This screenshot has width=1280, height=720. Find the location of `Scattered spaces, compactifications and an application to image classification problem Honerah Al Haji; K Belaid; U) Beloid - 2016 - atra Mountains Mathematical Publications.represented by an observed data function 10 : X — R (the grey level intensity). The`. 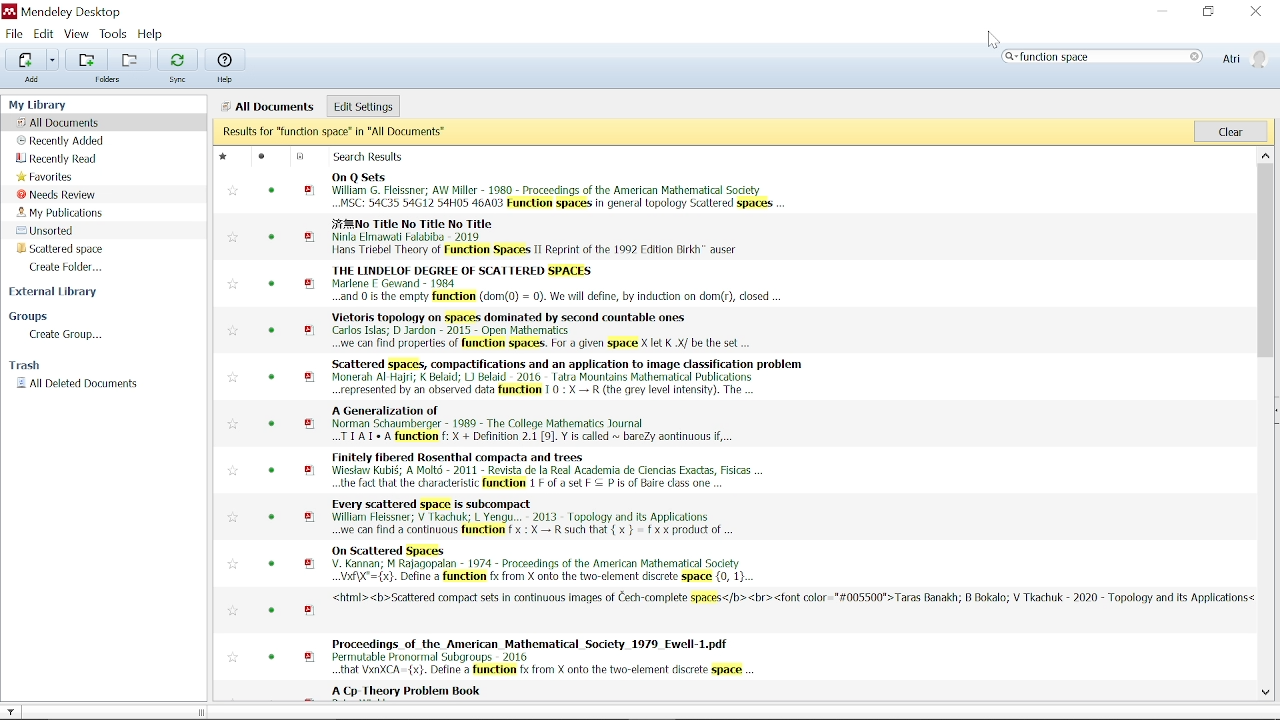

Scattered spaces, compactifications and an application to image classification problem Honerah Al Haji; K Belaid; U) Beloid - 2016 - atra Mountains Mathematical Publications.represented by an observed data function 10 : X — R (the grey level intensity). The is located at coordinates (756, 376).